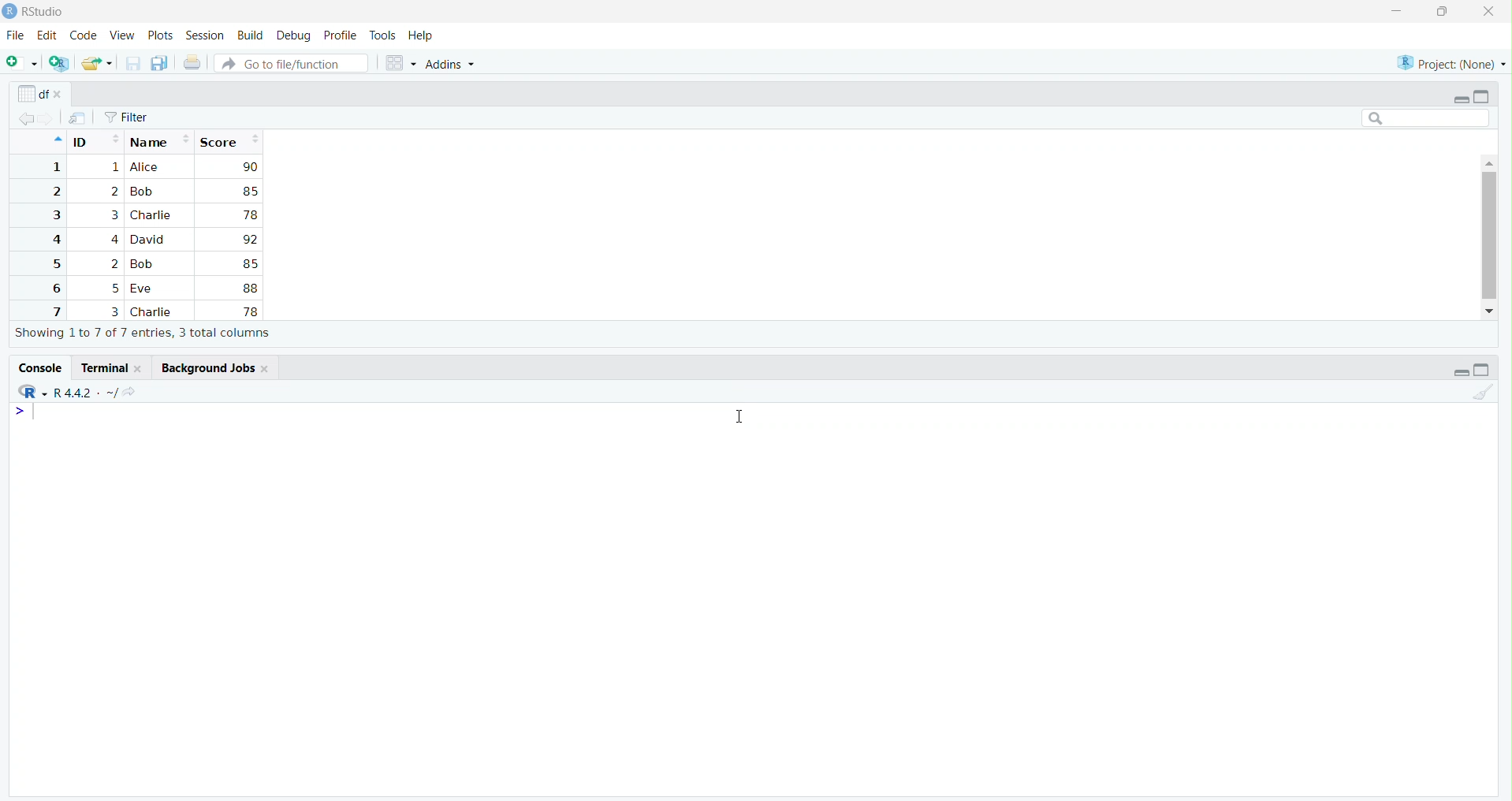 Image resolution: width=1512 pixels, height=801 pixels. Describe the element at coordinates (154, 312) in the screenshot. I see `Charlie` at that location.